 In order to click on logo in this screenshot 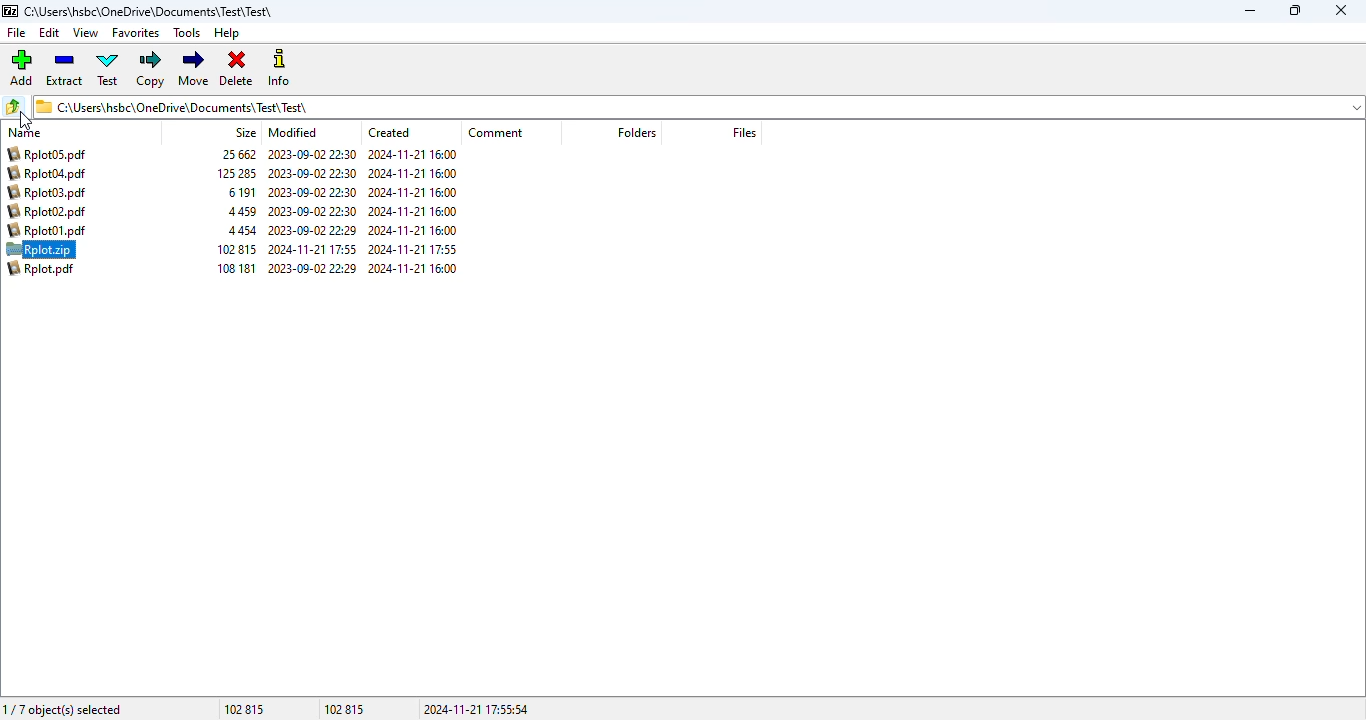, I will do `click(9, 11)`.